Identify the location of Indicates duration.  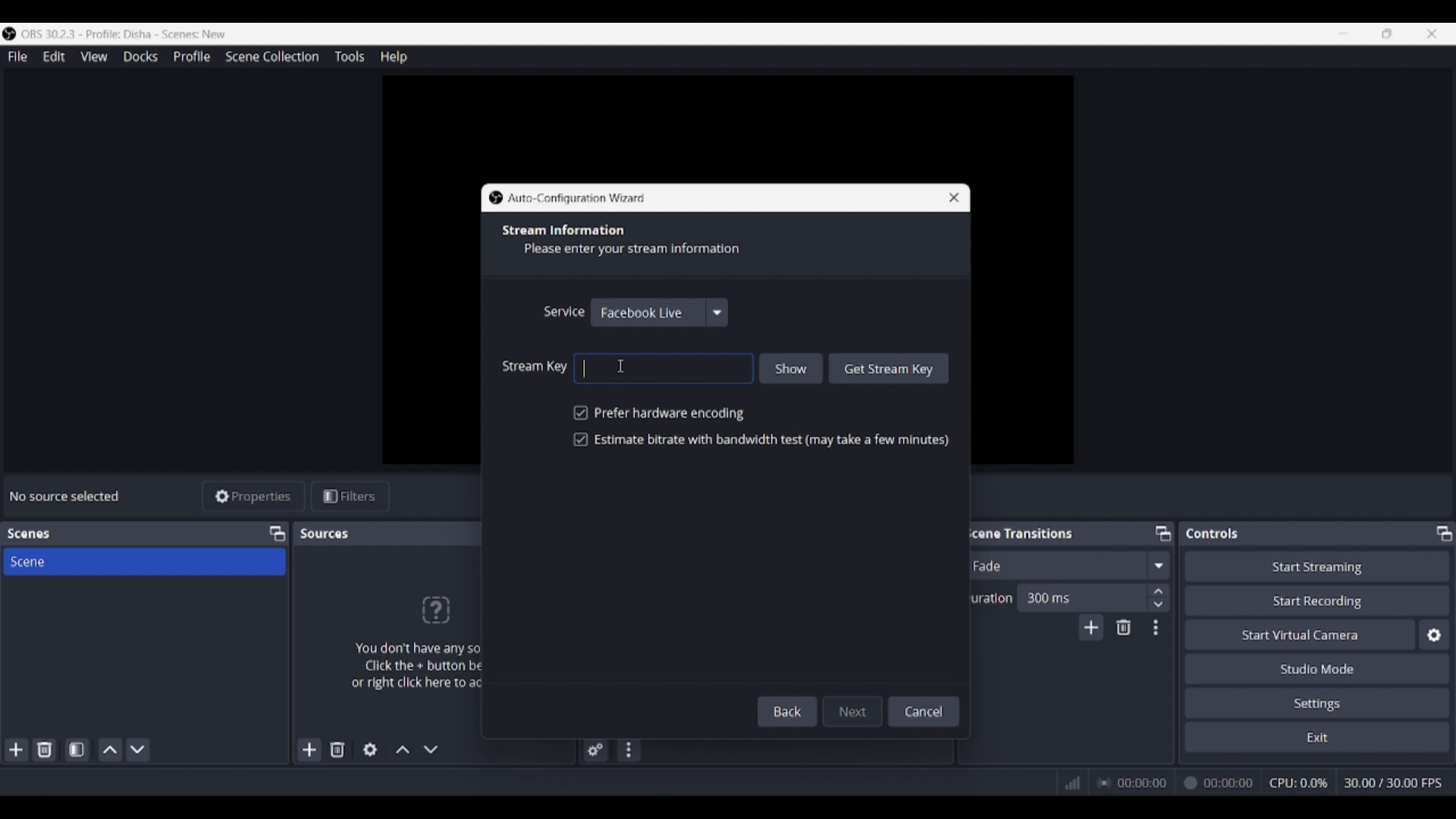
(987, 598).